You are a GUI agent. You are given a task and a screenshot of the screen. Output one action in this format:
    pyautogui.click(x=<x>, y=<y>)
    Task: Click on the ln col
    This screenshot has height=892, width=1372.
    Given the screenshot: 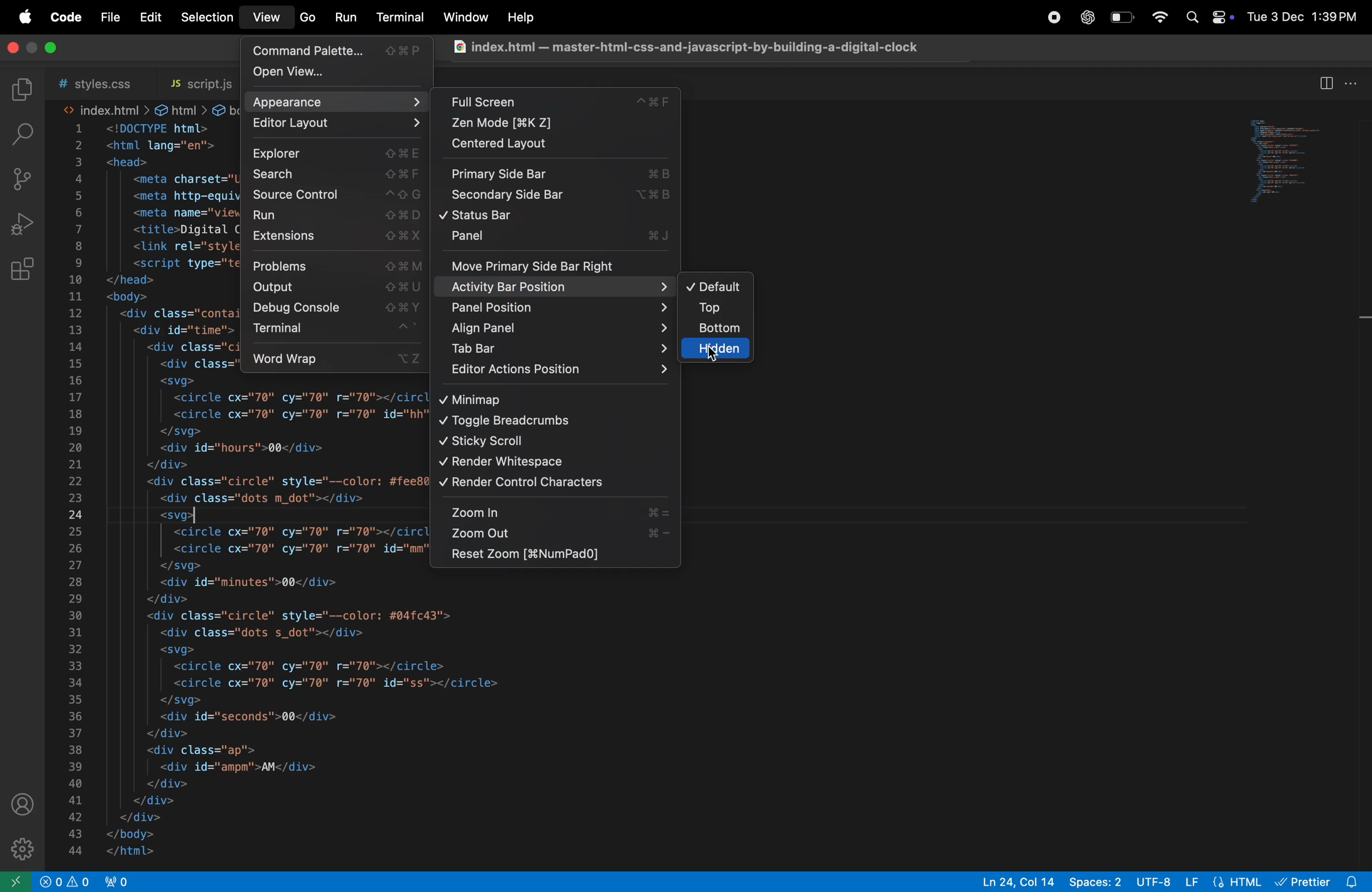 What is the action you would take?
    pyautogui.click(x=1011, y=882)
    